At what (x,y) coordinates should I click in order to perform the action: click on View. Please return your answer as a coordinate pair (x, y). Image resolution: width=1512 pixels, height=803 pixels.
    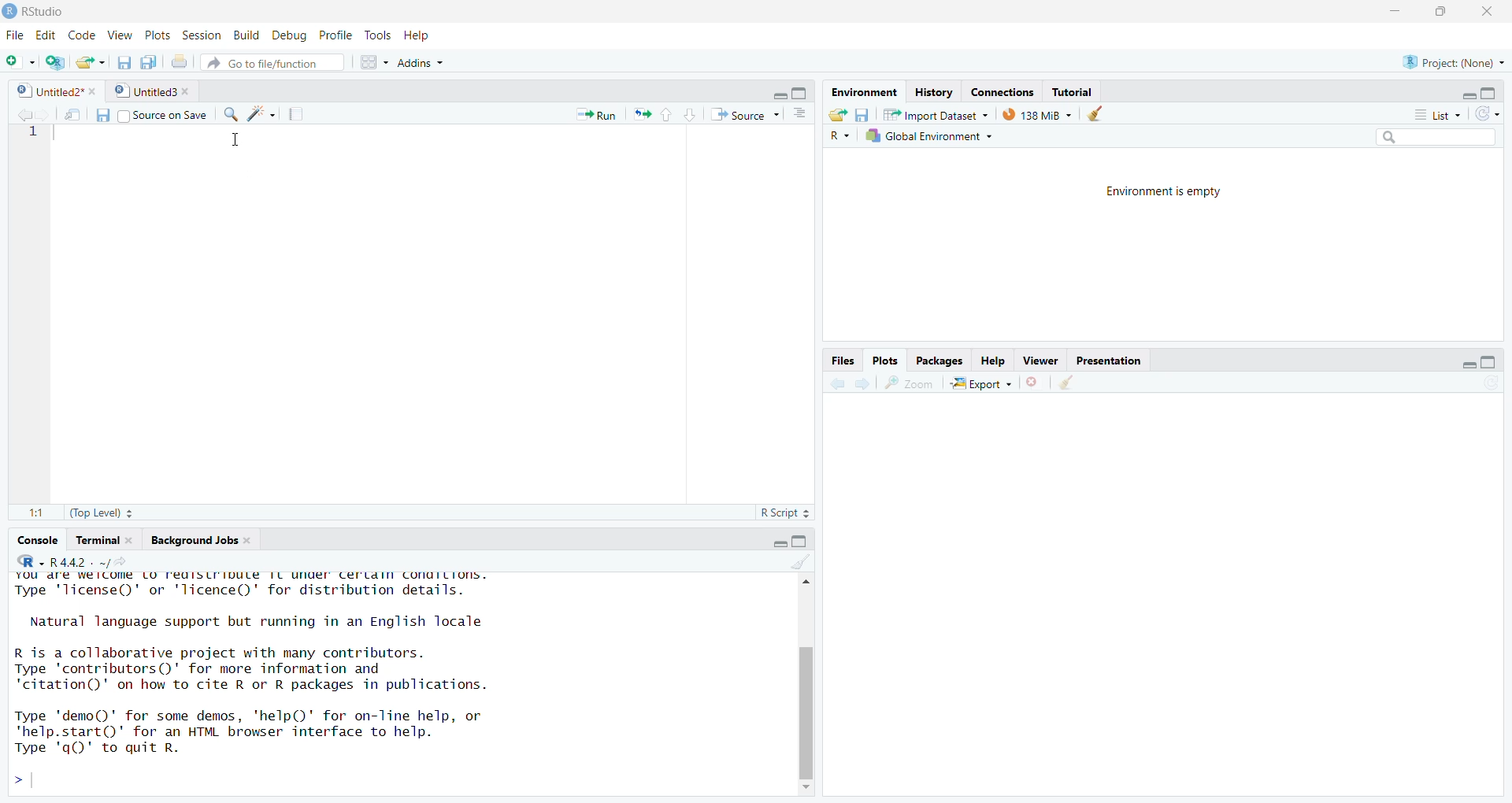
    Looking at the image, I should click on (120, 35).